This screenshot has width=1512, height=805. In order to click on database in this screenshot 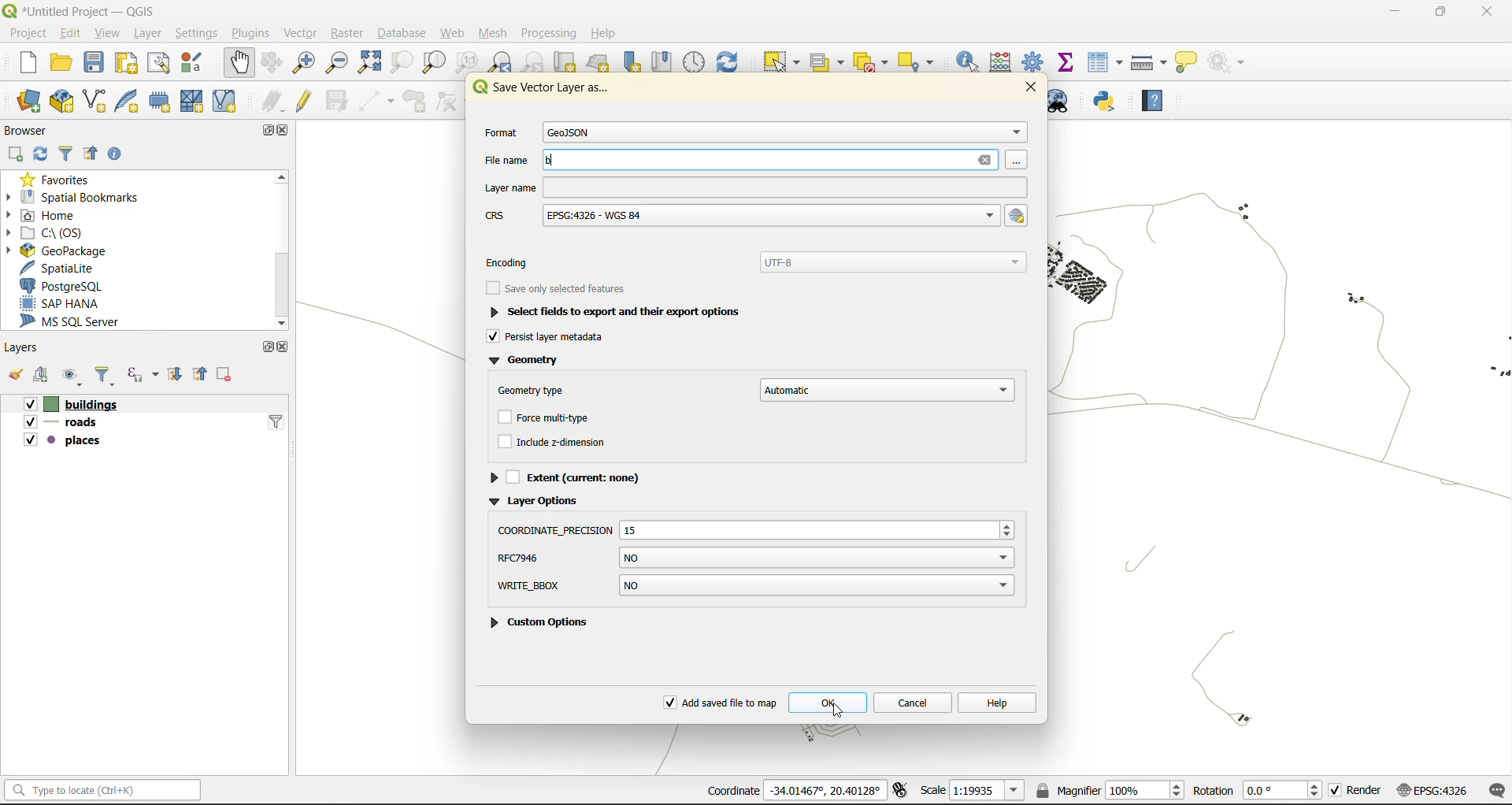, I will do `click(405, 32)`.